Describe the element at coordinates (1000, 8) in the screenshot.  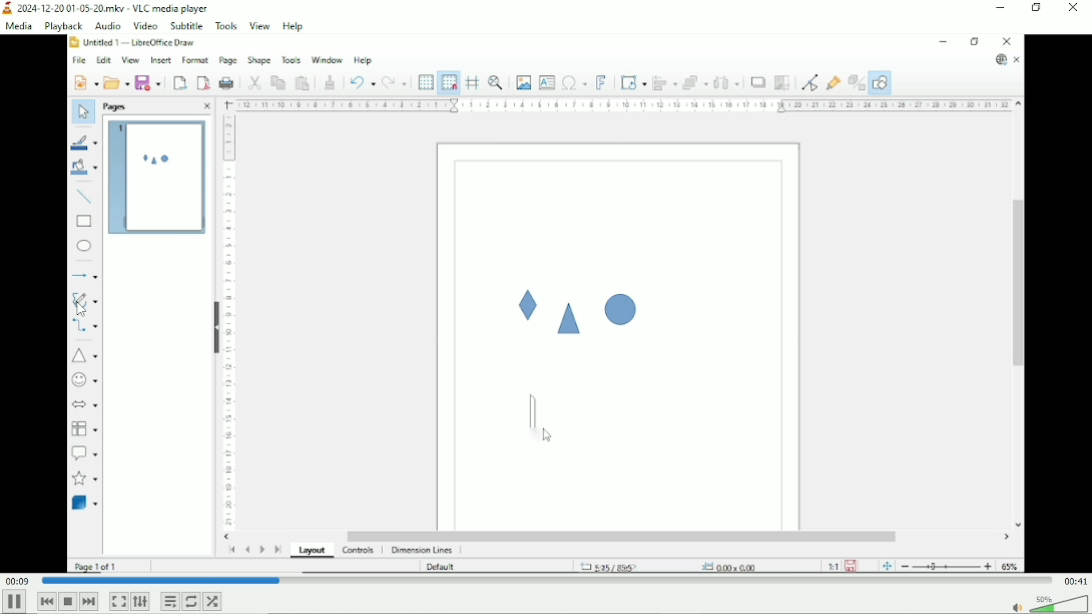
I see `Minimize` at that location.